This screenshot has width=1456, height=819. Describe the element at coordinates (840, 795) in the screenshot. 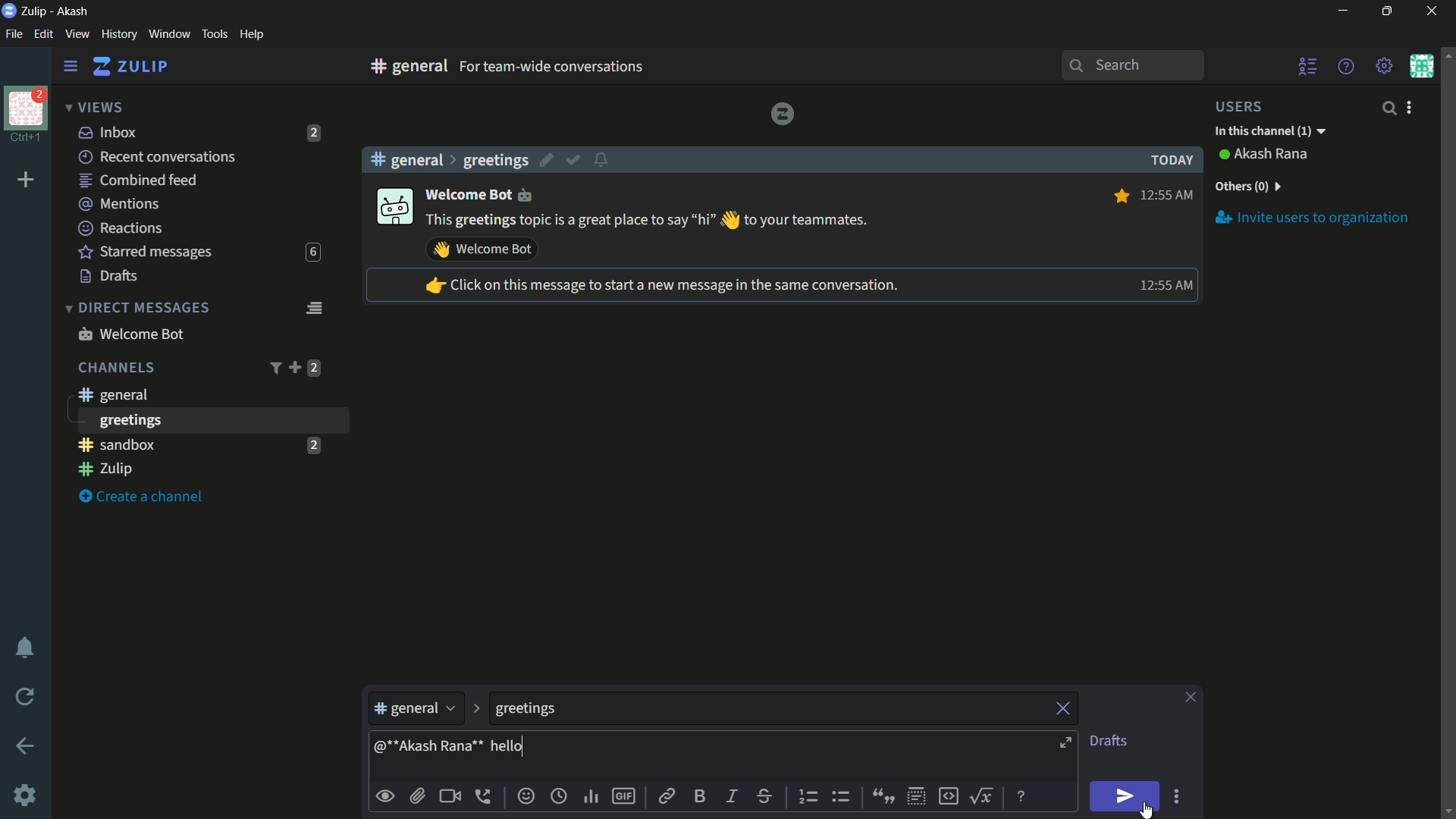

I see `underordered list` at that location.